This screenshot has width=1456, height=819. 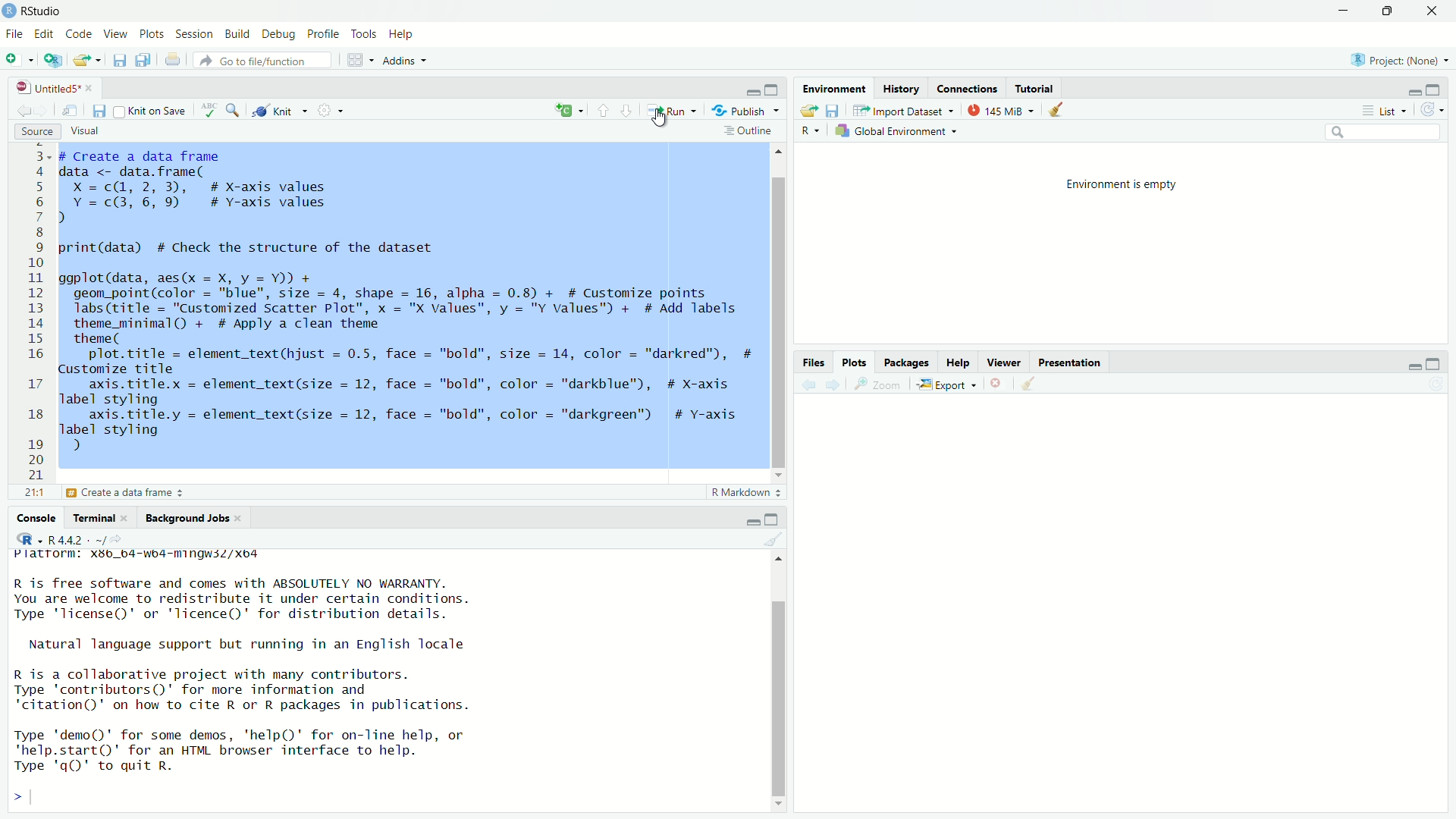 What do you see at coordinates (67, 537) in the screenshot?
I see `R 4.4.2 ` at bounding box center [67, 537].